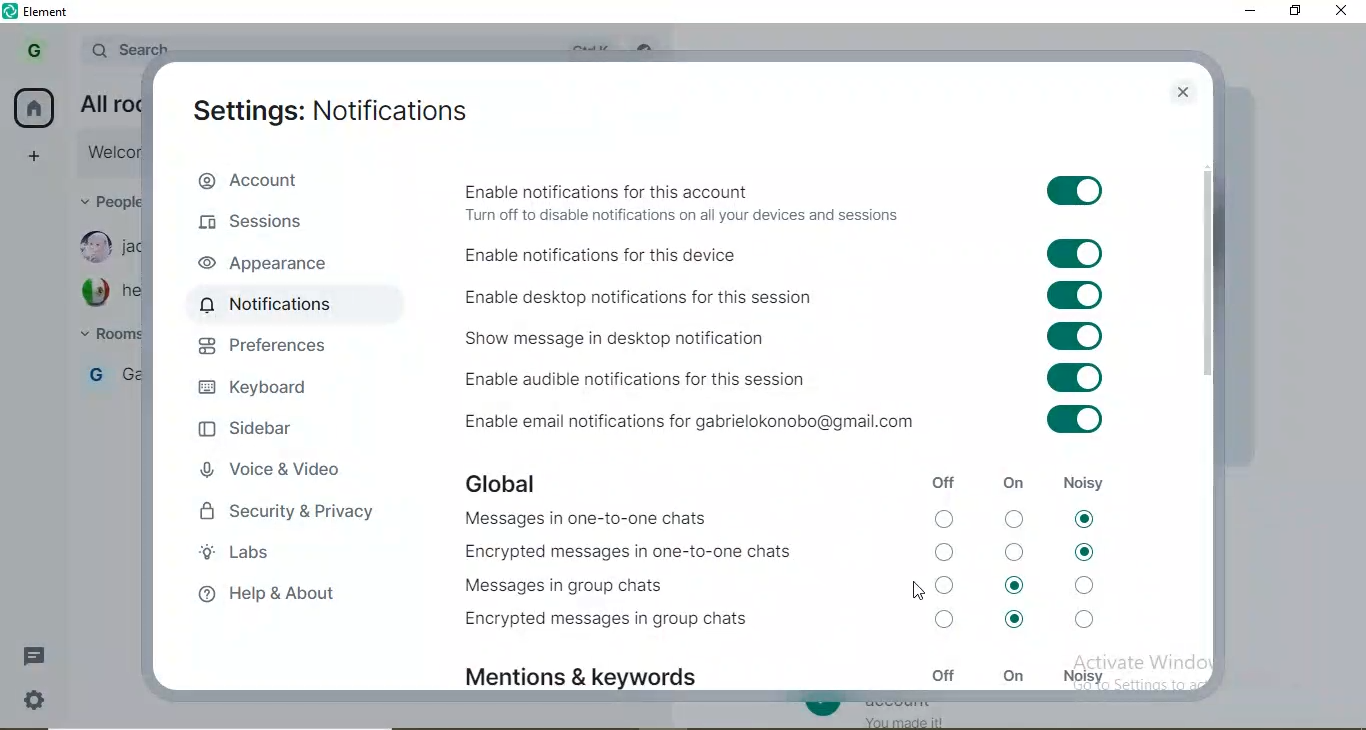  I want to click on cursor, so click(921, 591).